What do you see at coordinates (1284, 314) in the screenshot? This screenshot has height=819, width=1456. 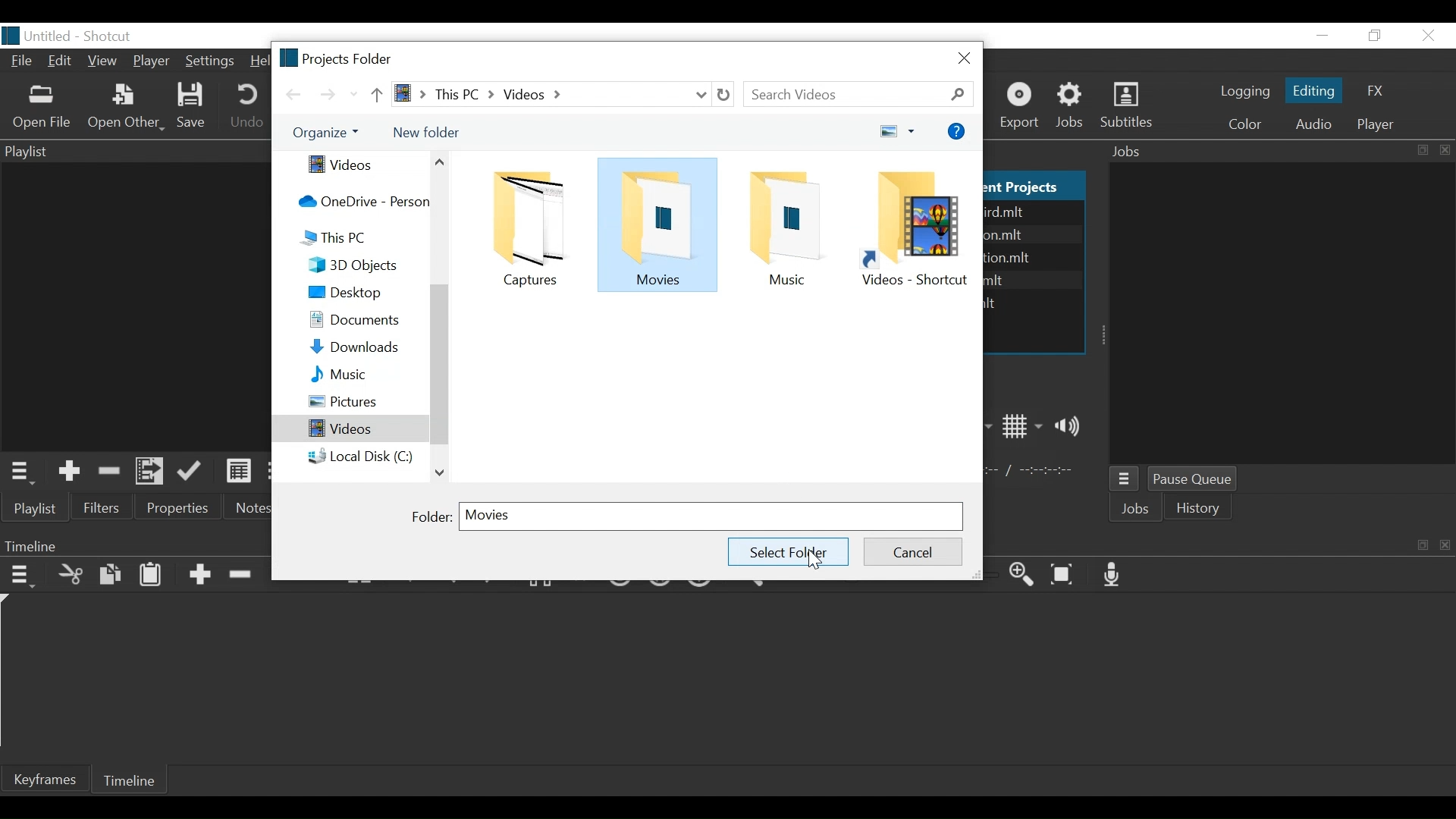 I see `Jobs Panel` at bounding box center [1284, 314].